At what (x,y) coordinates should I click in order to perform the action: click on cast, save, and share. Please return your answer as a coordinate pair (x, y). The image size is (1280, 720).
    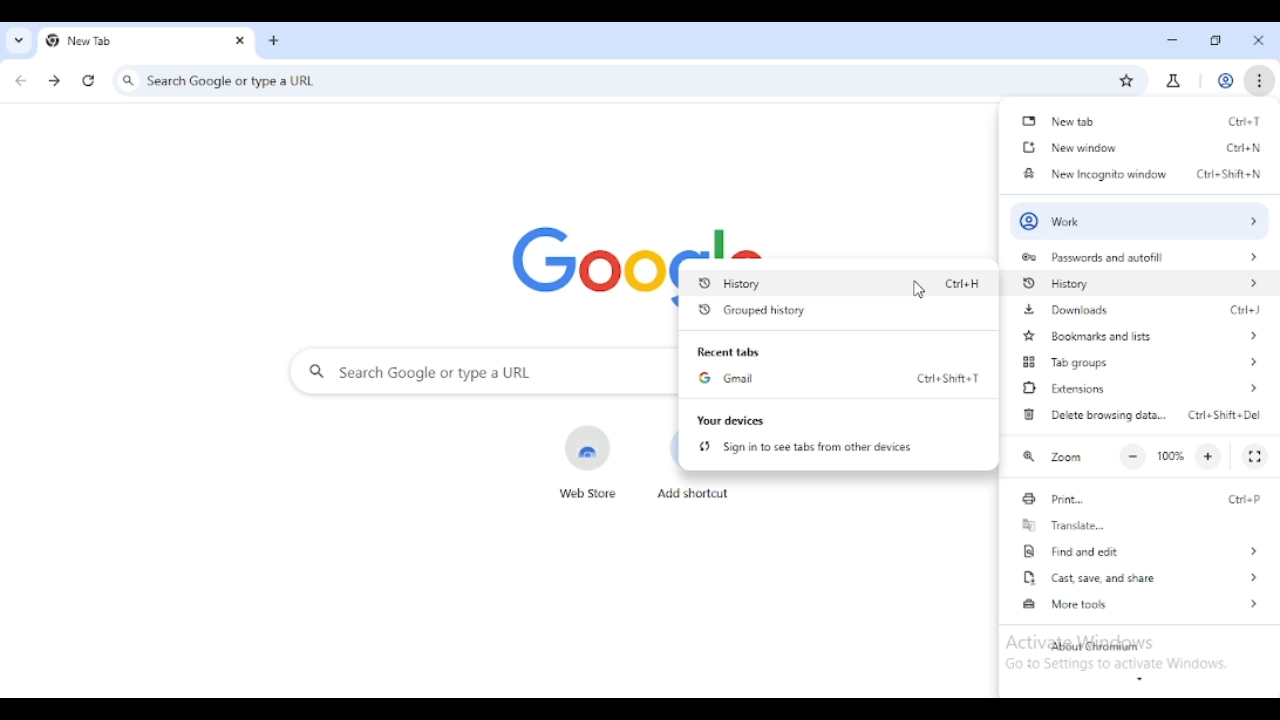
    Looking at the image, I should click on (1138, 577).